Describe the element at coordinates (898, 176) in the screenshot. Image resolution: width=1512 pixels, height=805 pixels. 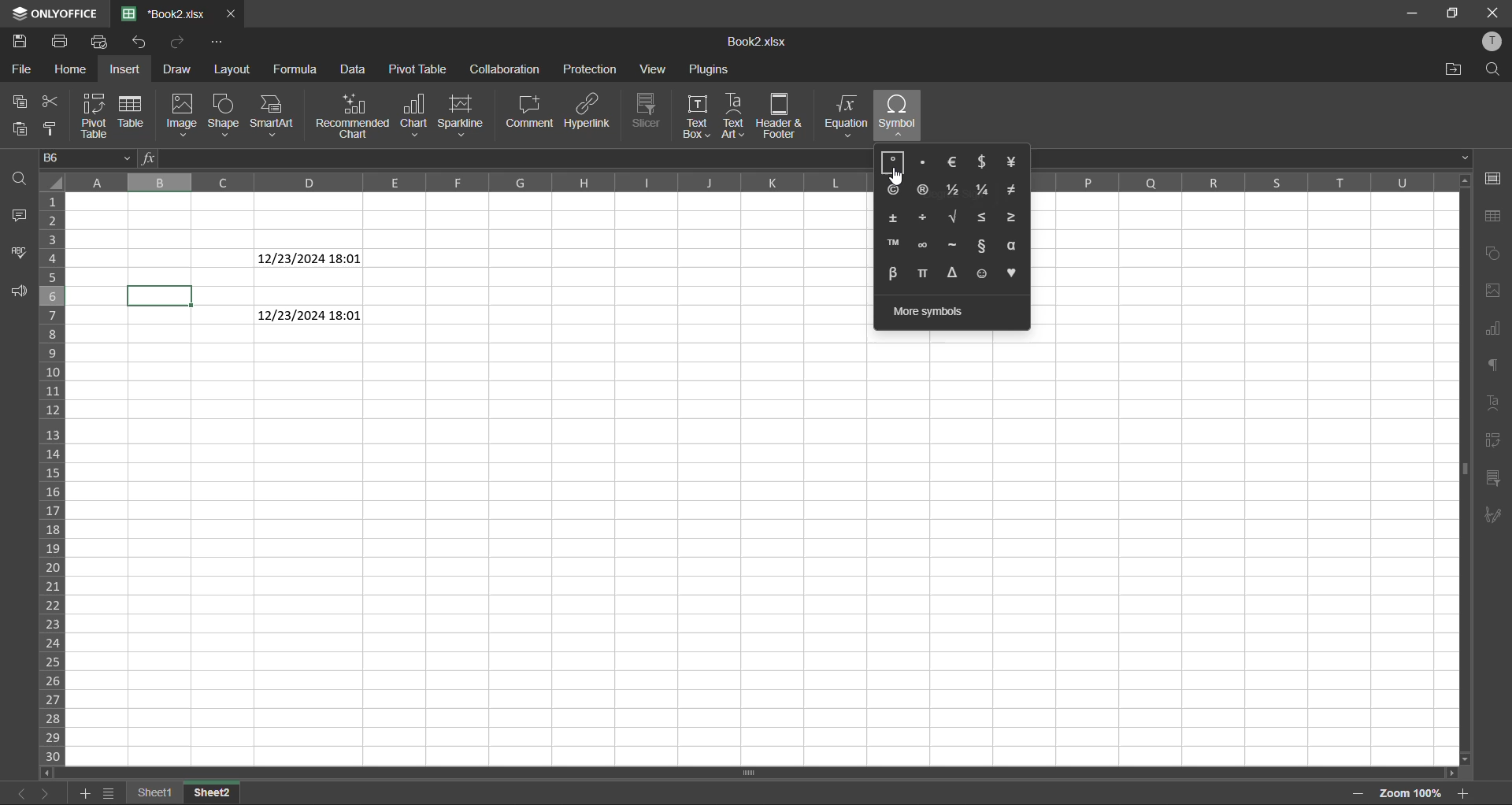
I see `cursor` at that location.